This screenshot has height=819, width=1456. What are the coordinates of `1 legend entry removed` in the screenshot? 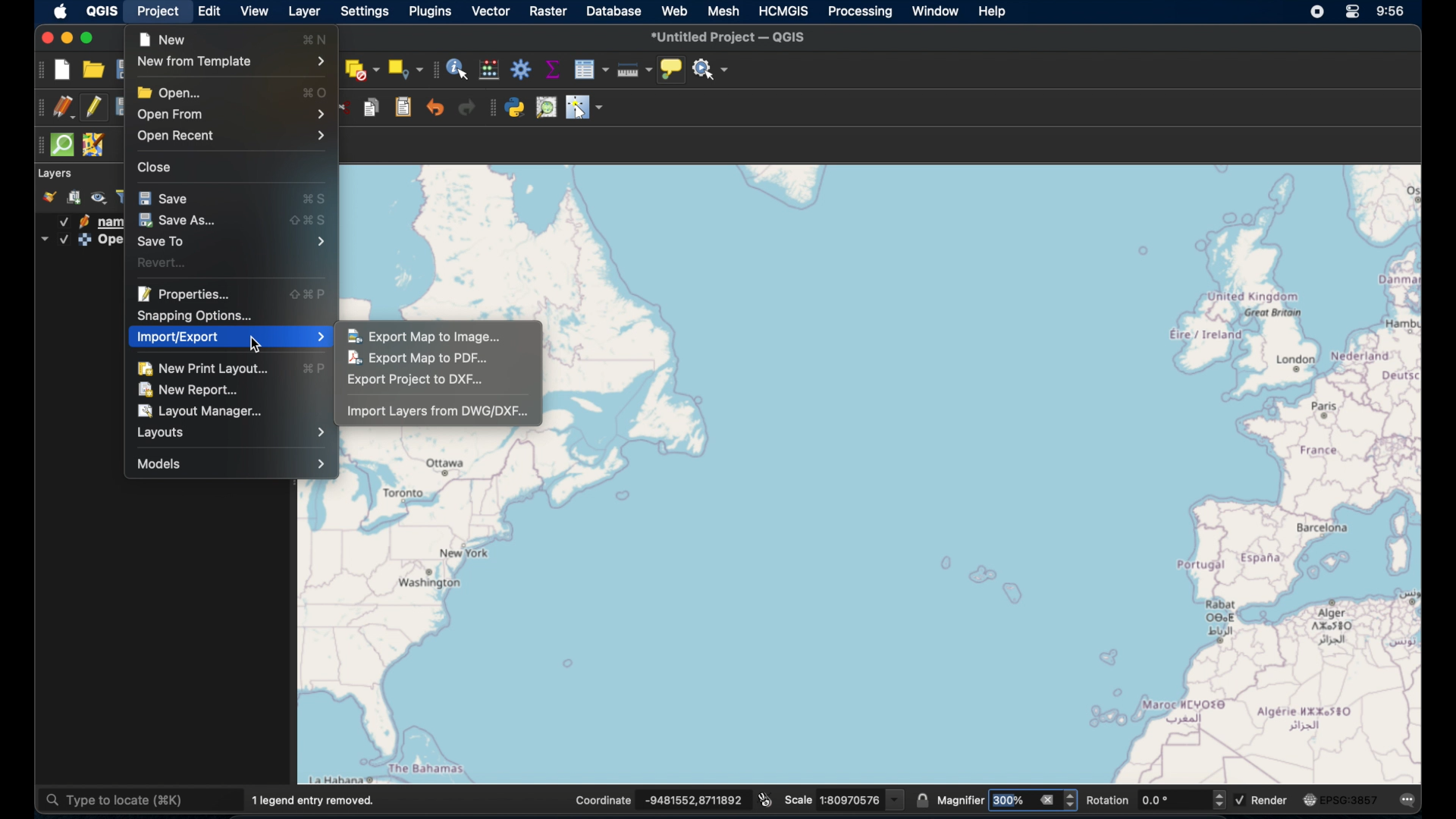 It's located at (317, 800).